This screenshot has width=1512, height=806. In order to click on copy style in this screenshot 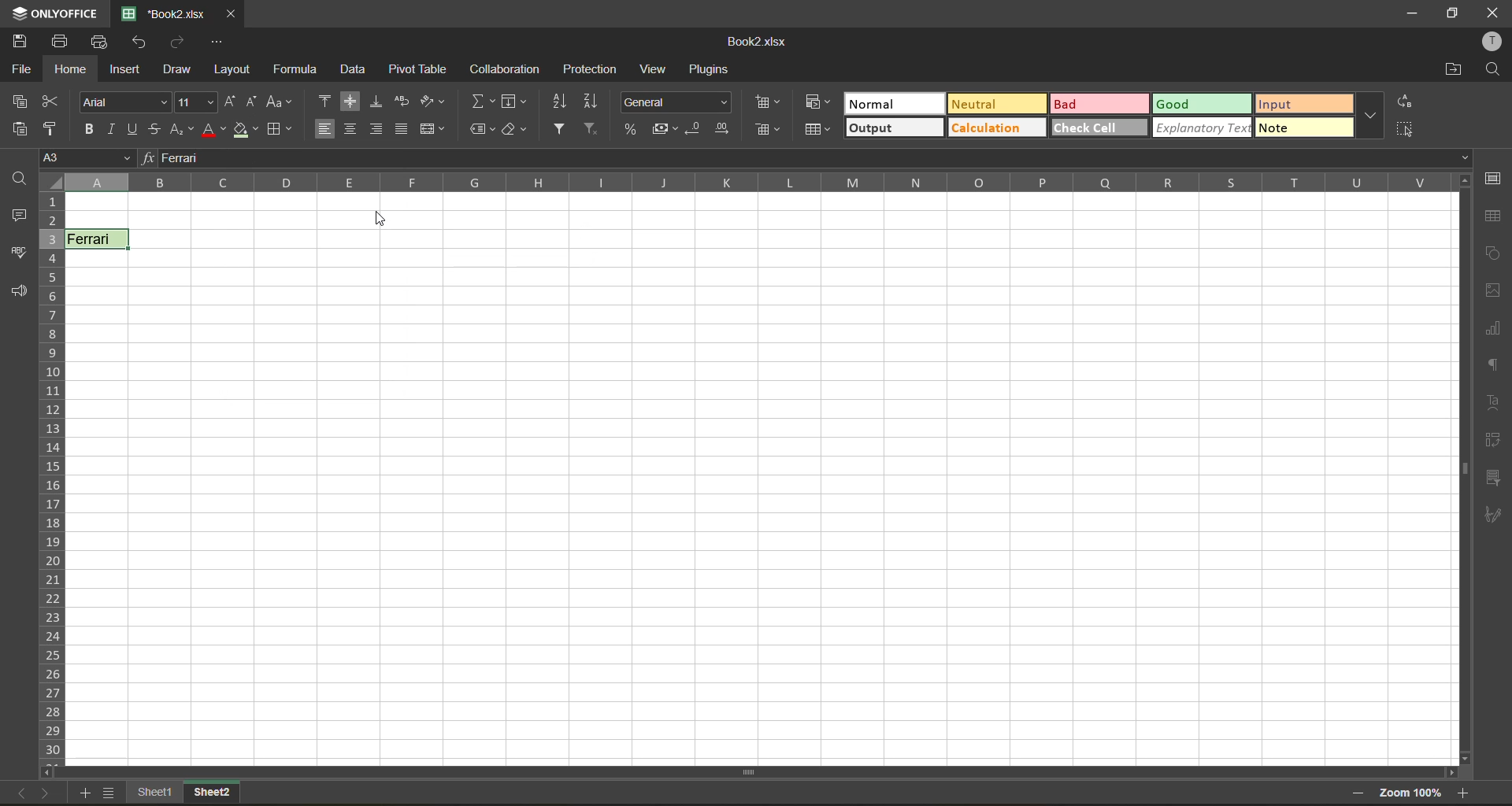, I will do `click(52, 128)`.